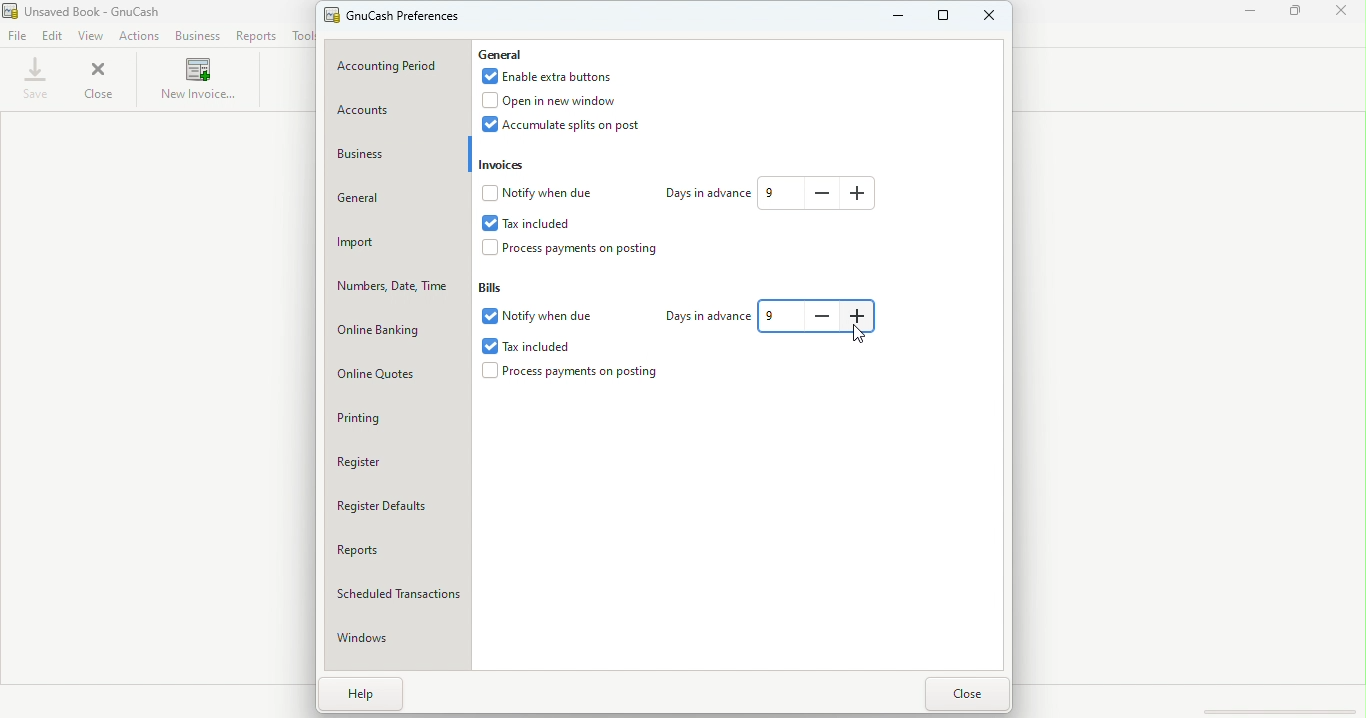 The width and height of the screenshot is (1366, 718). What do you see at coordinates (821, 193) in the screenshot?
I see `Decrease` at bounding box center [821, 193].